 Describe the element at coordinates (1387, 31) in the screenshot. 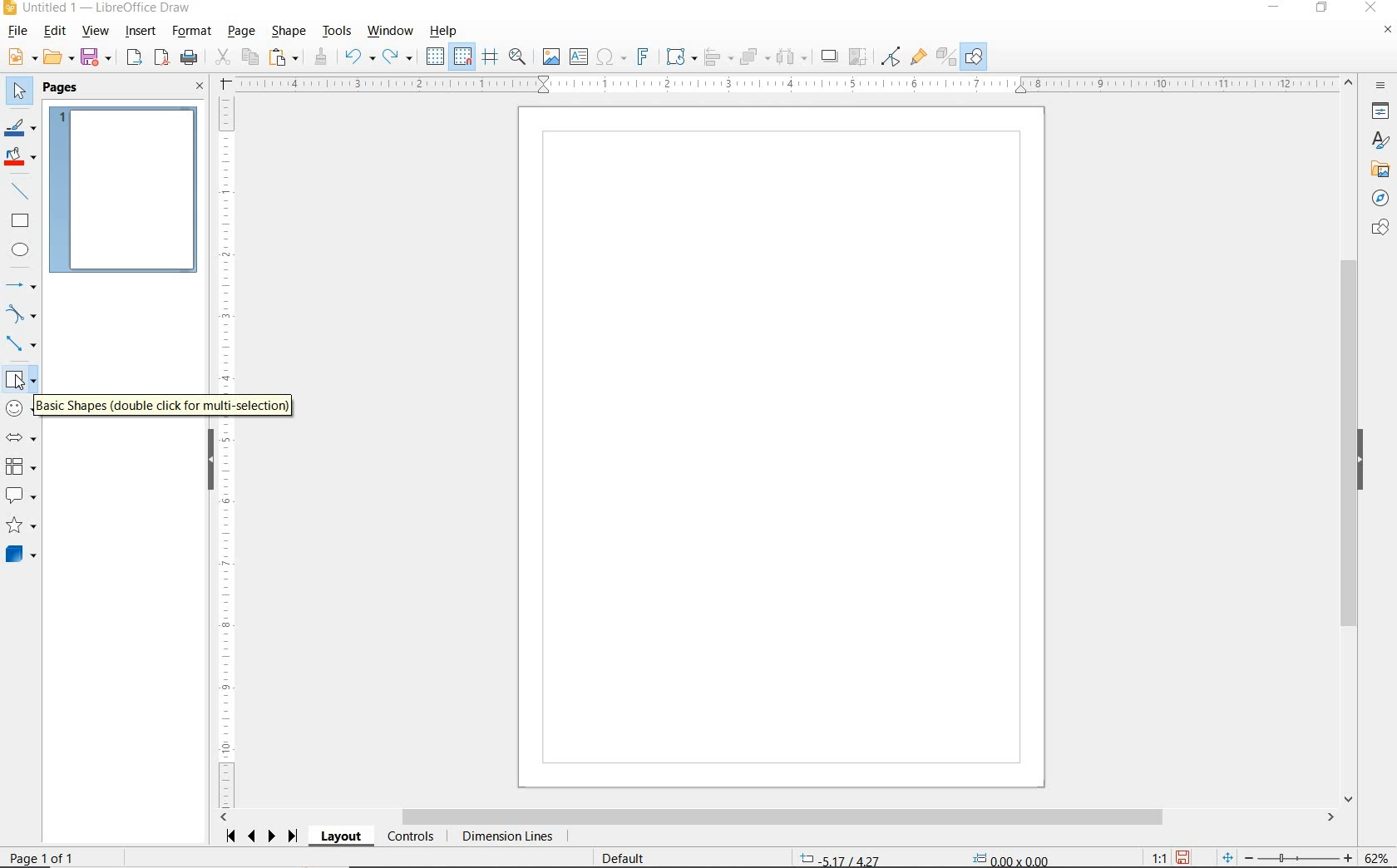

I see `CLOSE DOCUMENT` at that location.